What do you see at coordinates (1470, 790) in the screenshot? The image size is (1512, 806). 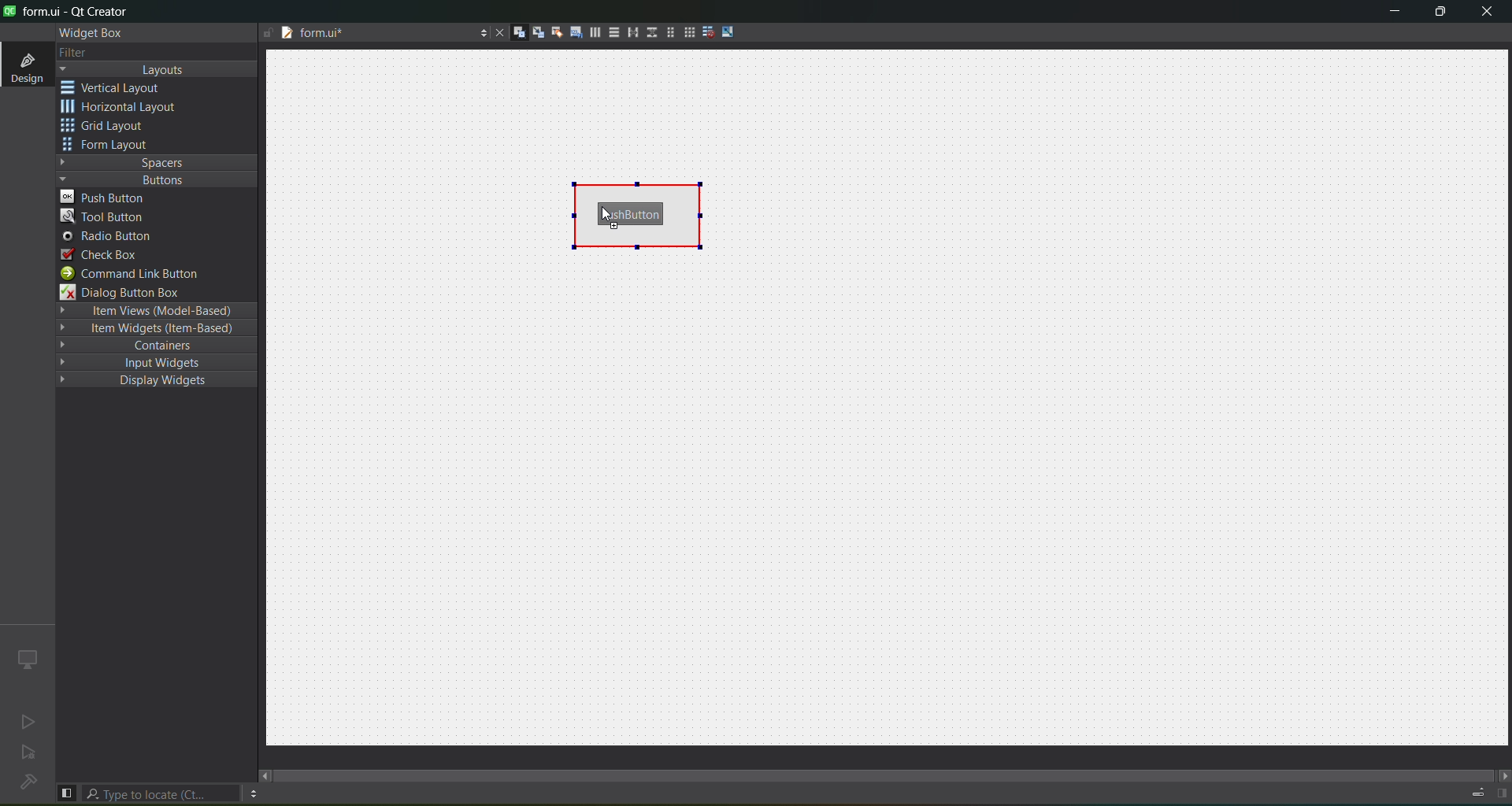 I see `Progress details` at bounding box center [1470, 790].